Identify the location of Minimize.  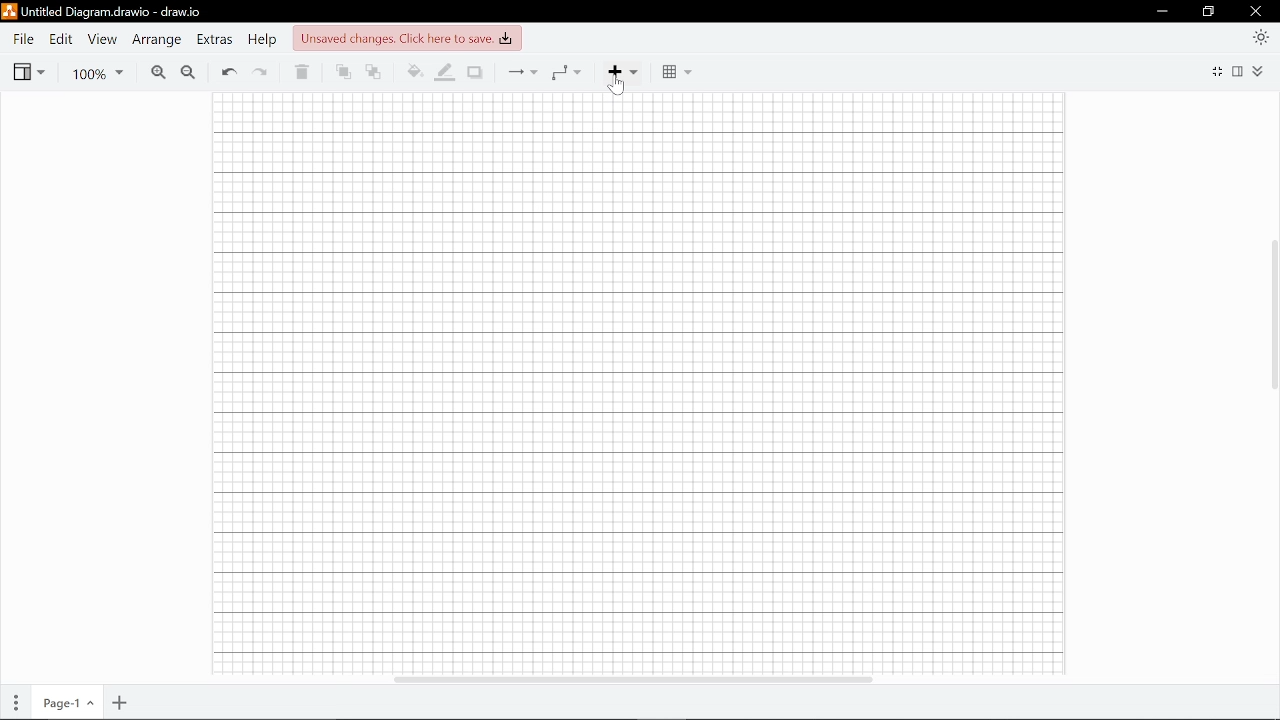
(1162, 12).